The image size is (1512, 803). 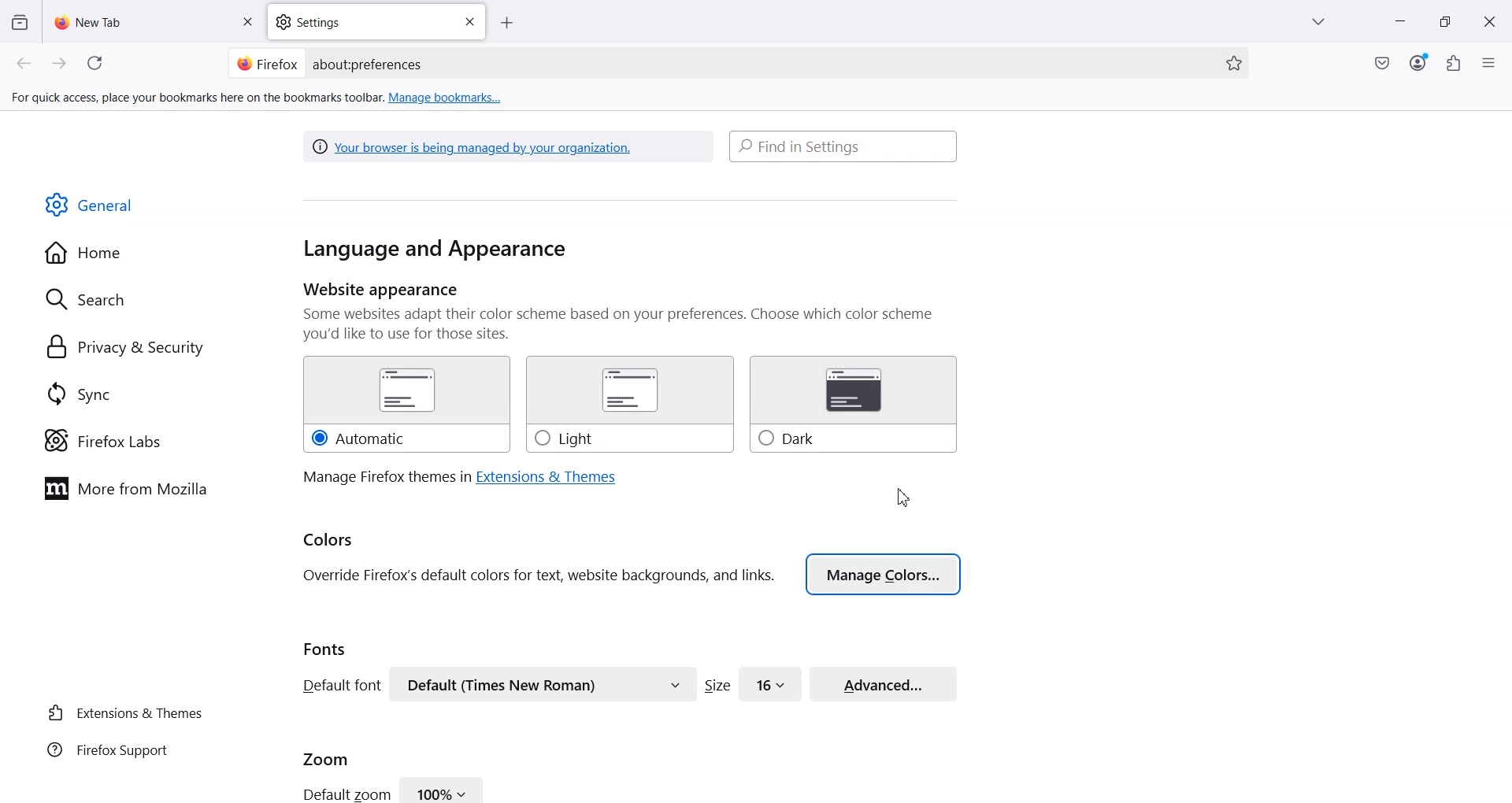 What do you see at coordinates (325, 649) in the screenshot?
I see `Fonts` at bounding box center [325, 649].